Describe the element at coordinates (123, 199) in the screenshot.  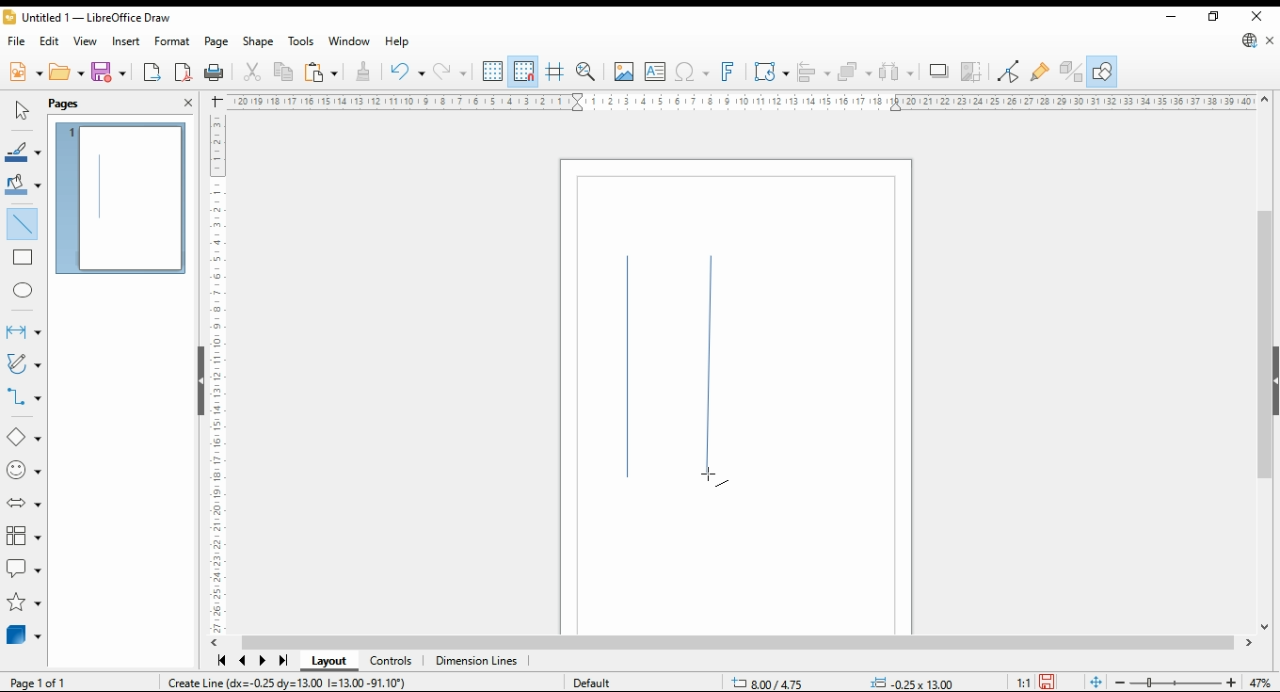
I see `page 1` at that location.